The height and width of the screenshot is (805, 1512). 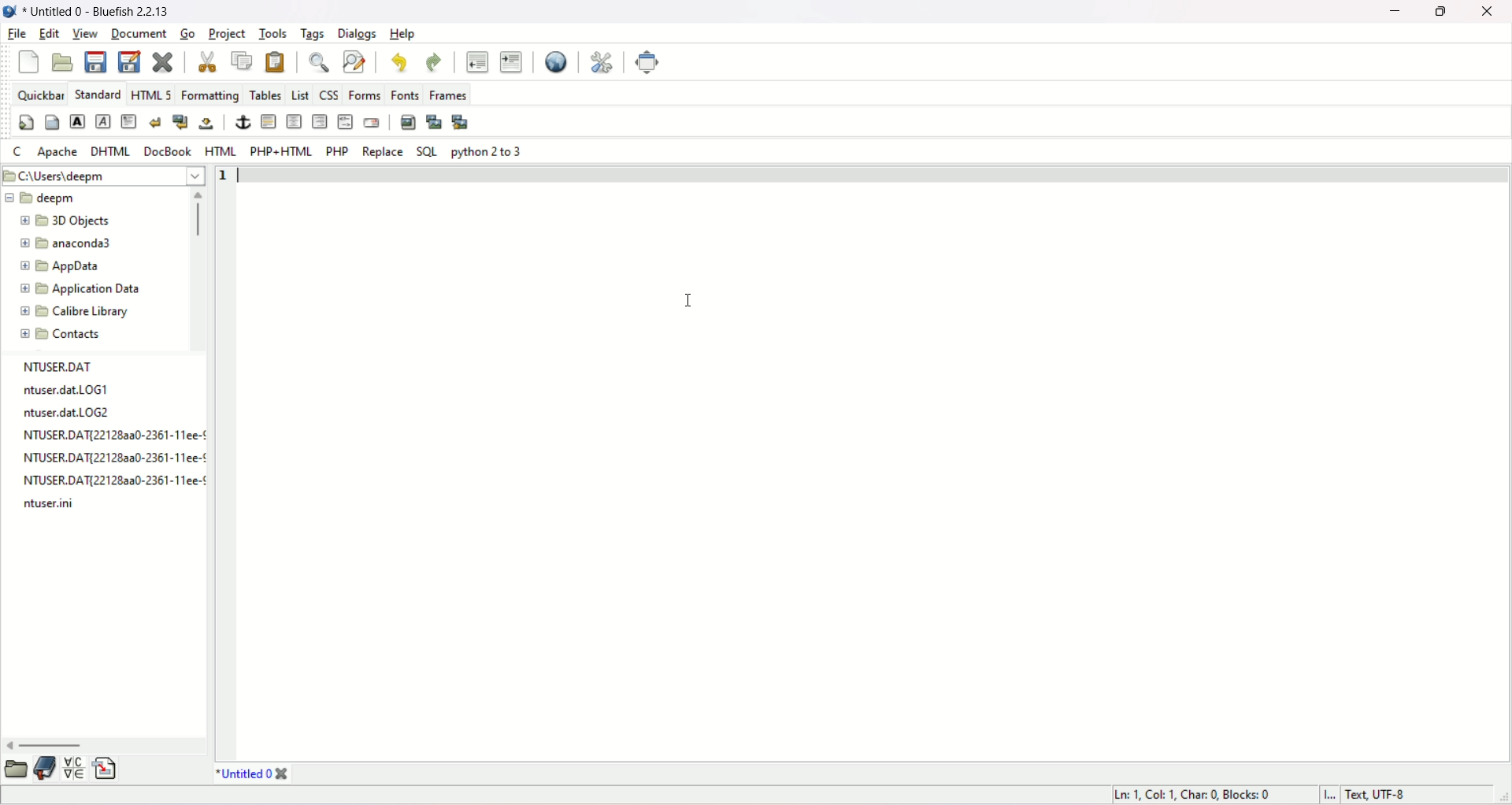 What do you see at coordinates (241, 61) in the screenshot?
I see `copy` at bounding box center [241, 61].